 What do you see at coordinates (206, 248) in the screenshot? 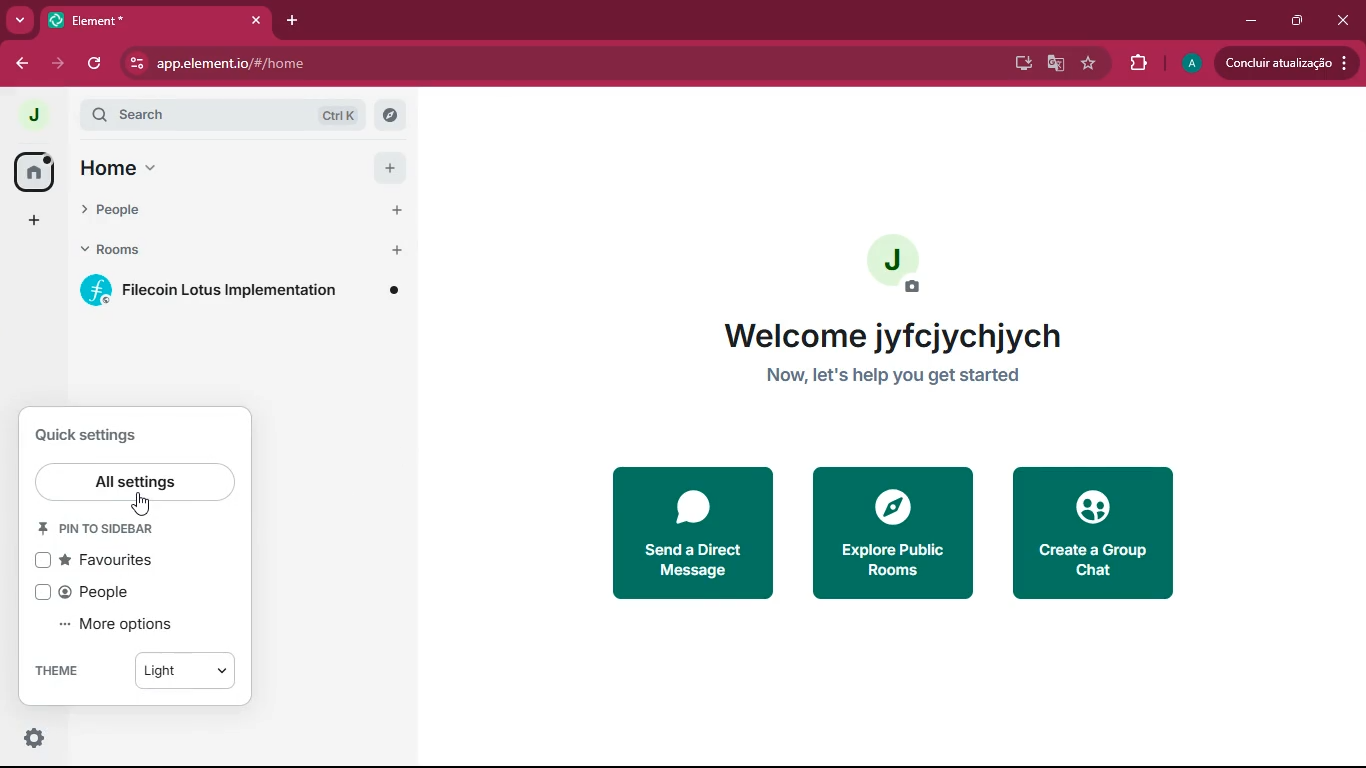
I see `rooms` at bounding box center [206, 248].